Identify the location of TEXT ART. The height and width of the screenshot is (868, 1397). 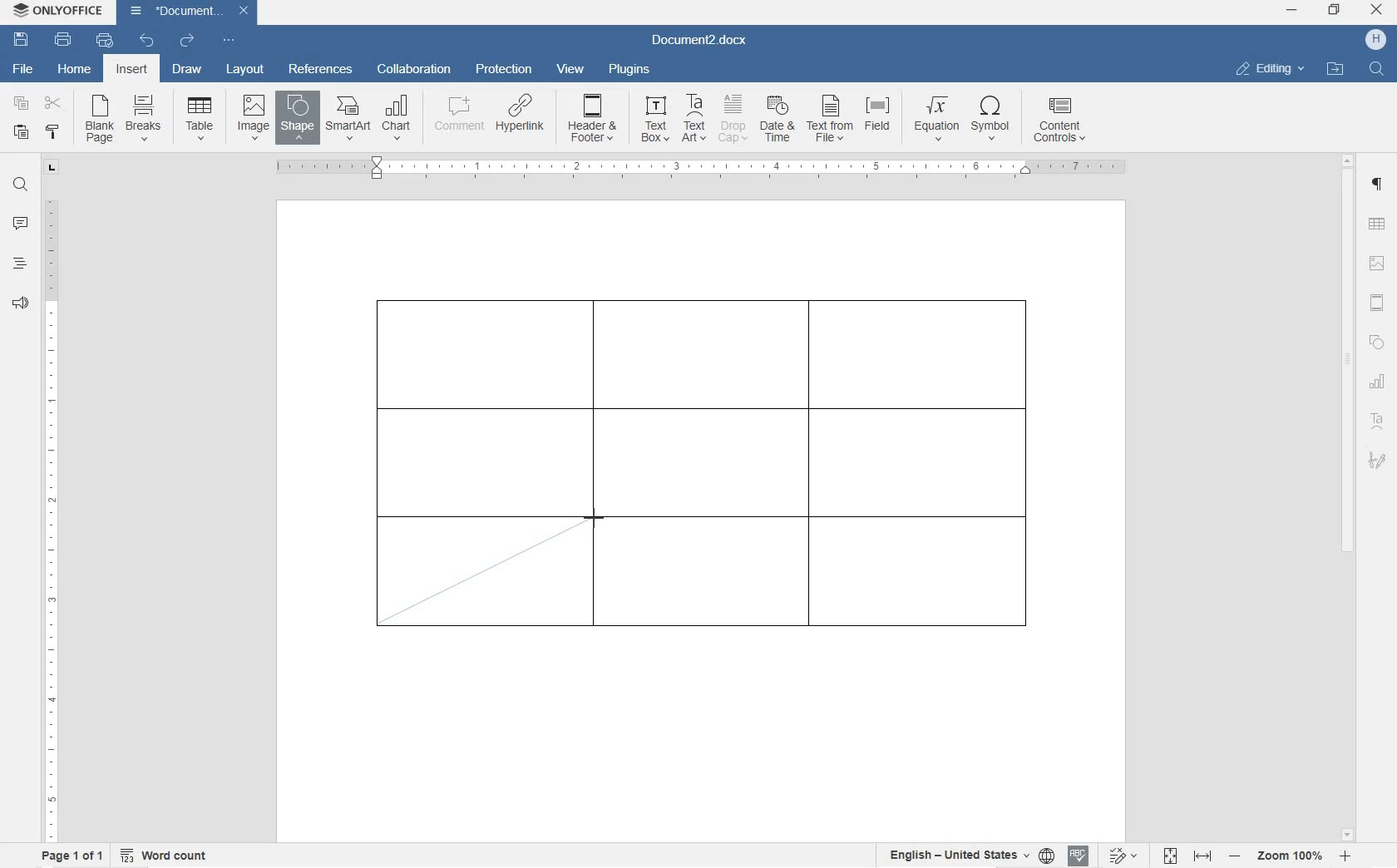
(692, 120).